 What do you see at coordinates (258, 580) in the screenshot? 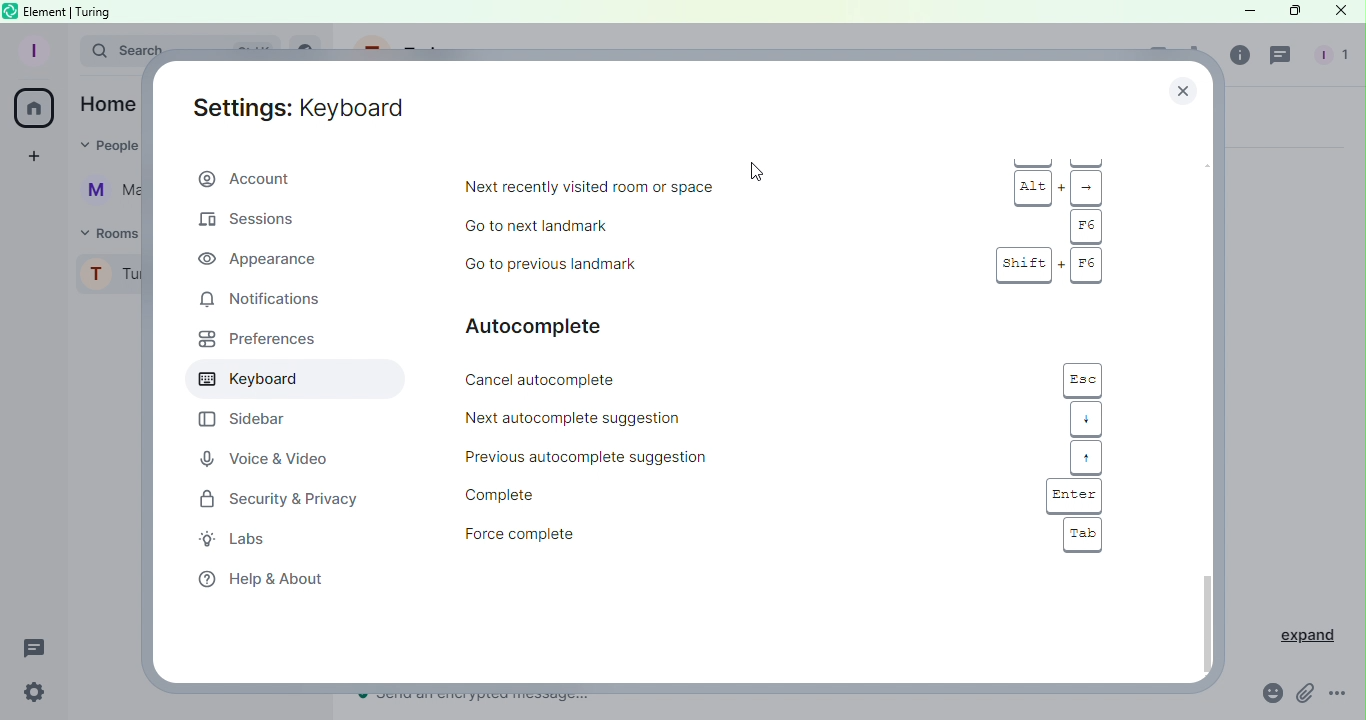
I see `Help and about` at bounding box center [258, 580].